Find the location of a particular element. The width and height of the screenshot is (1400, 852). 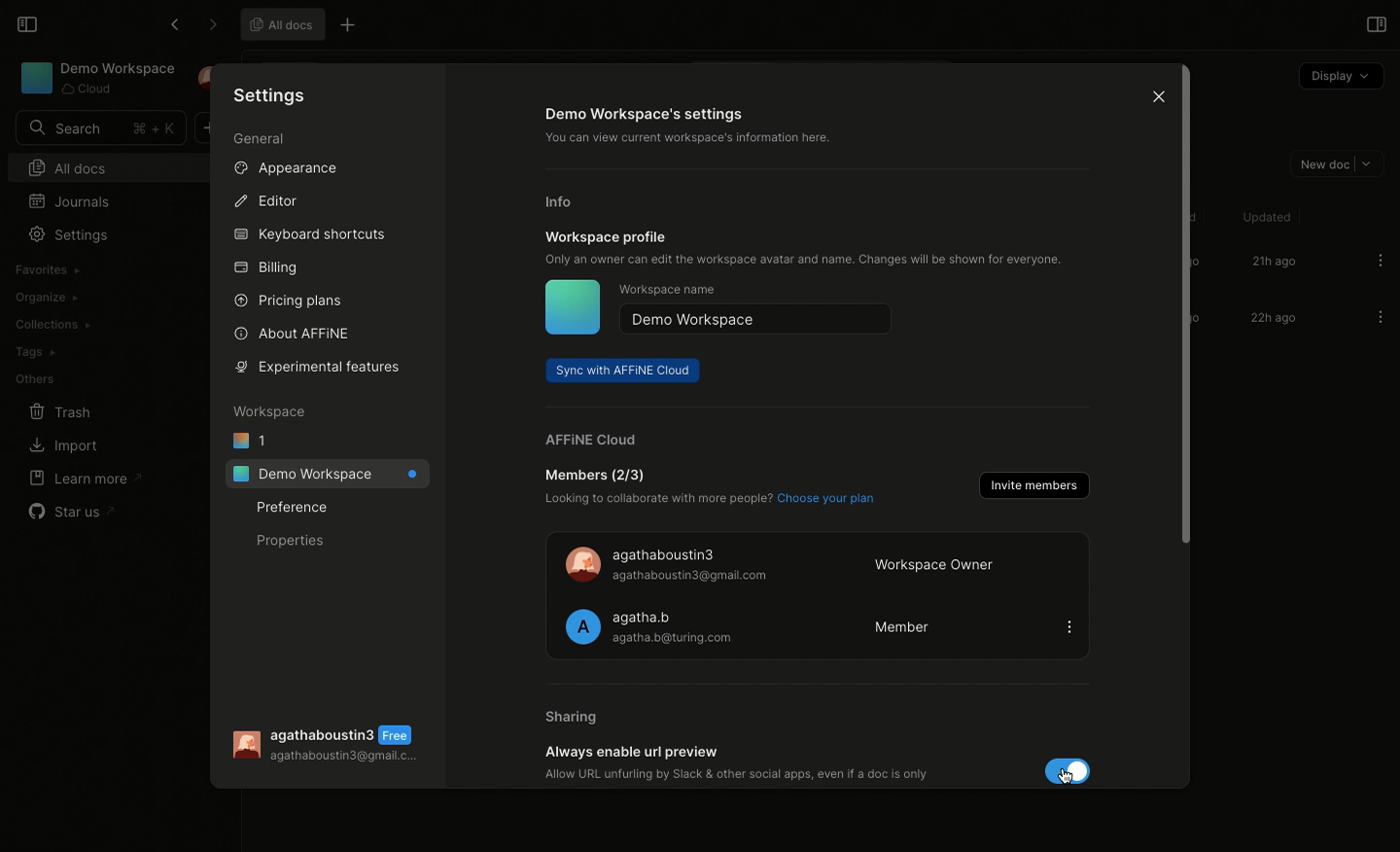

22h ago is located at coordinates (1271, 320).